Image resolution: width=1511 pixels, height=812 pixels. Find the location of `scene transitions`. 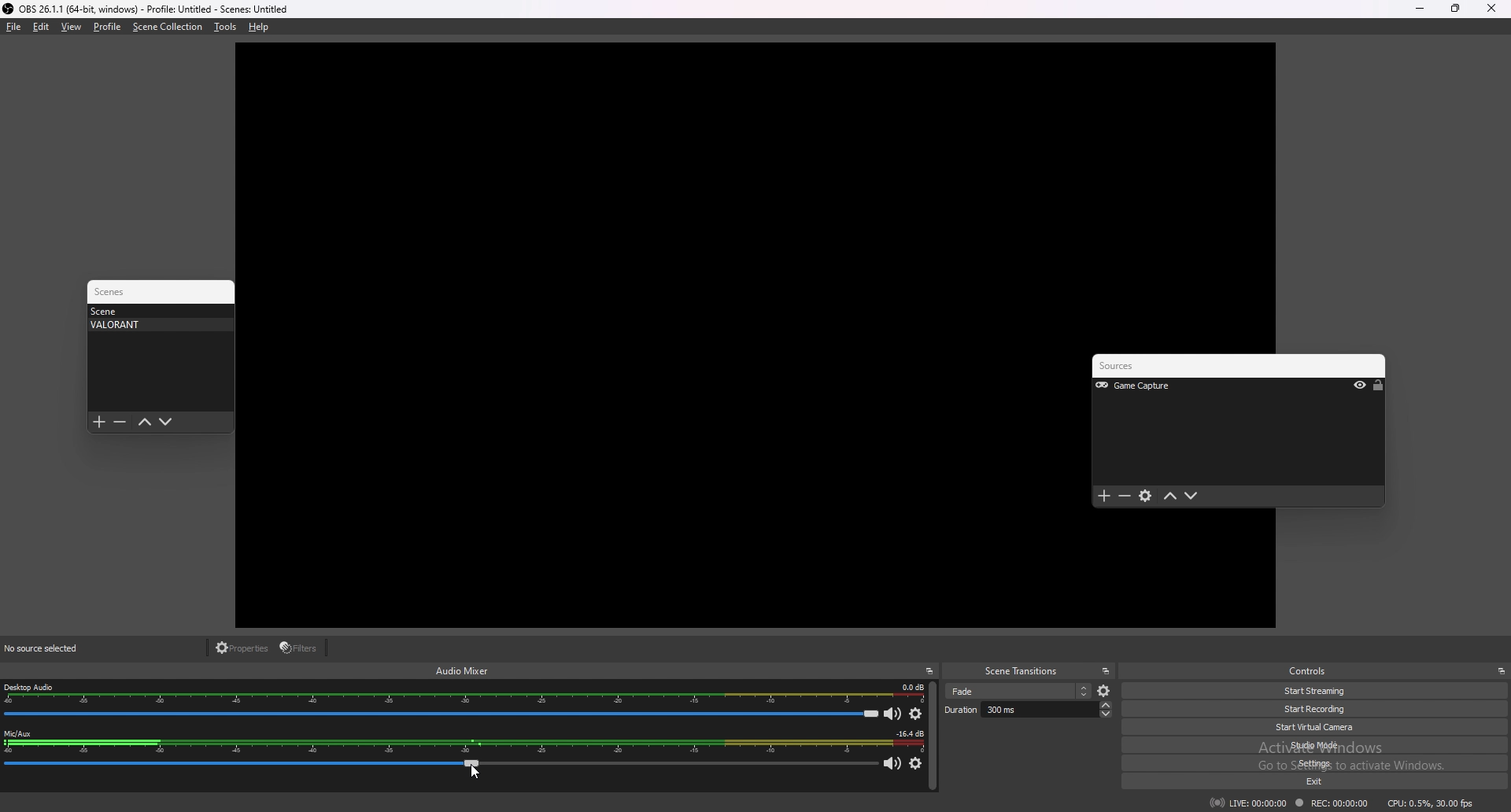

scene transitions is located at coordinates (1021, 672).